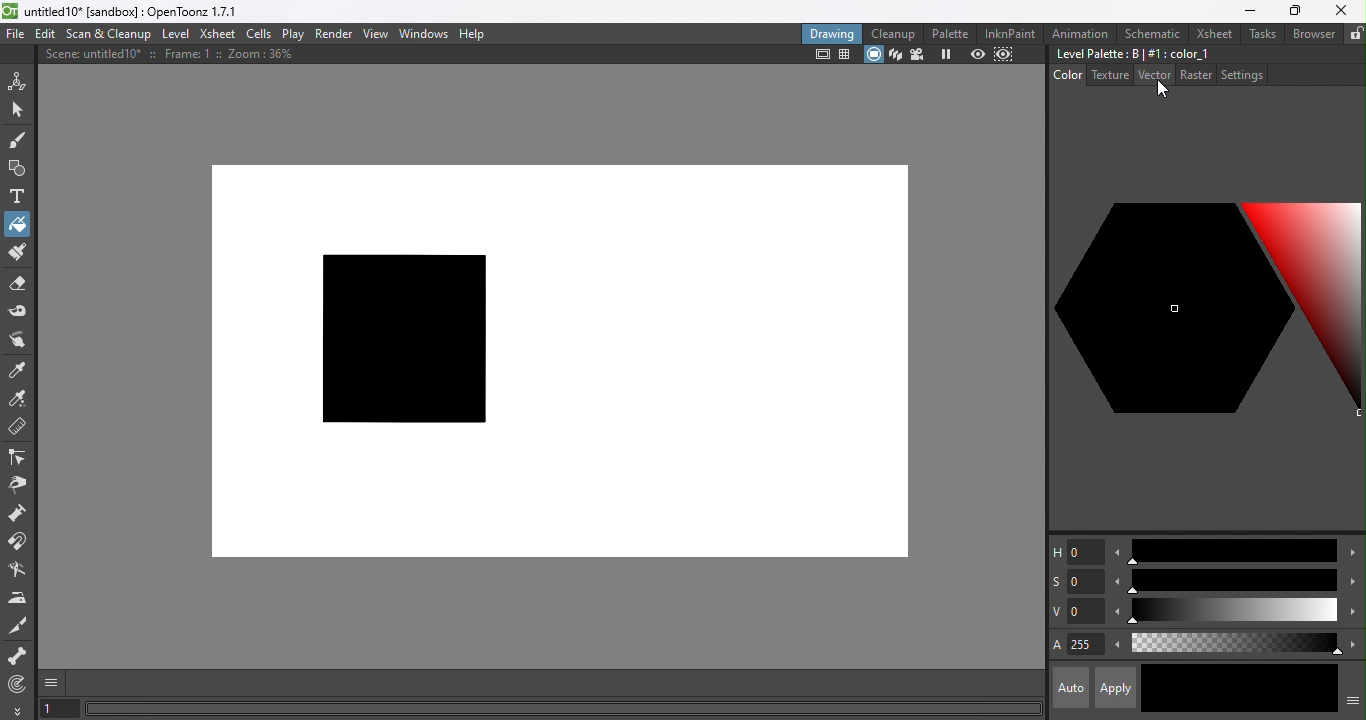  What do you see at coordinates (947, 56) in the screenshot?
I see `Freeze` at bounding box center [947, 56].